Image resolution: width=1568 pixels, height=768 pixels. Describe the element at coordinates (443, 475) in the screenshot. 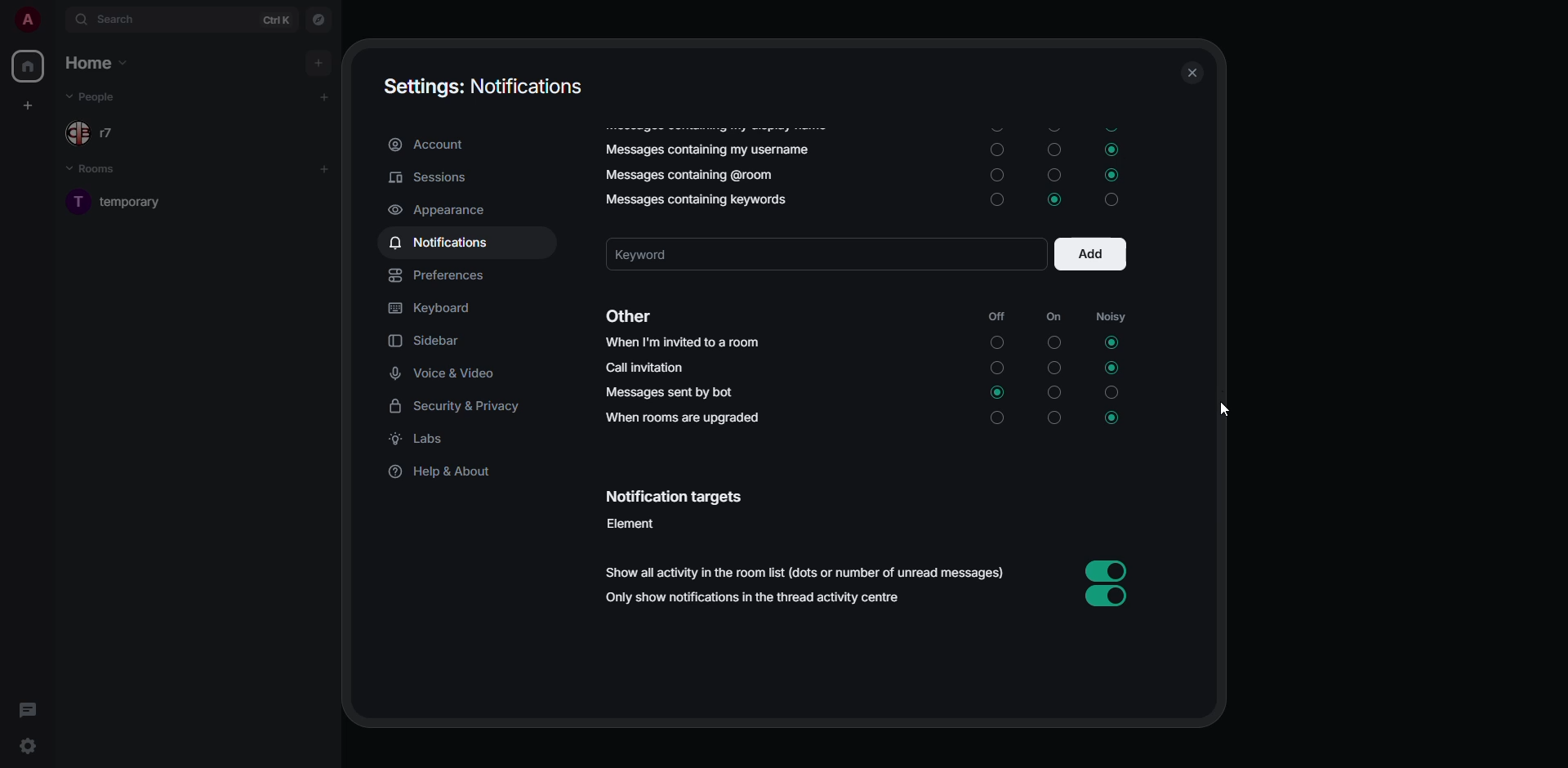

I see `help & about` at that location.